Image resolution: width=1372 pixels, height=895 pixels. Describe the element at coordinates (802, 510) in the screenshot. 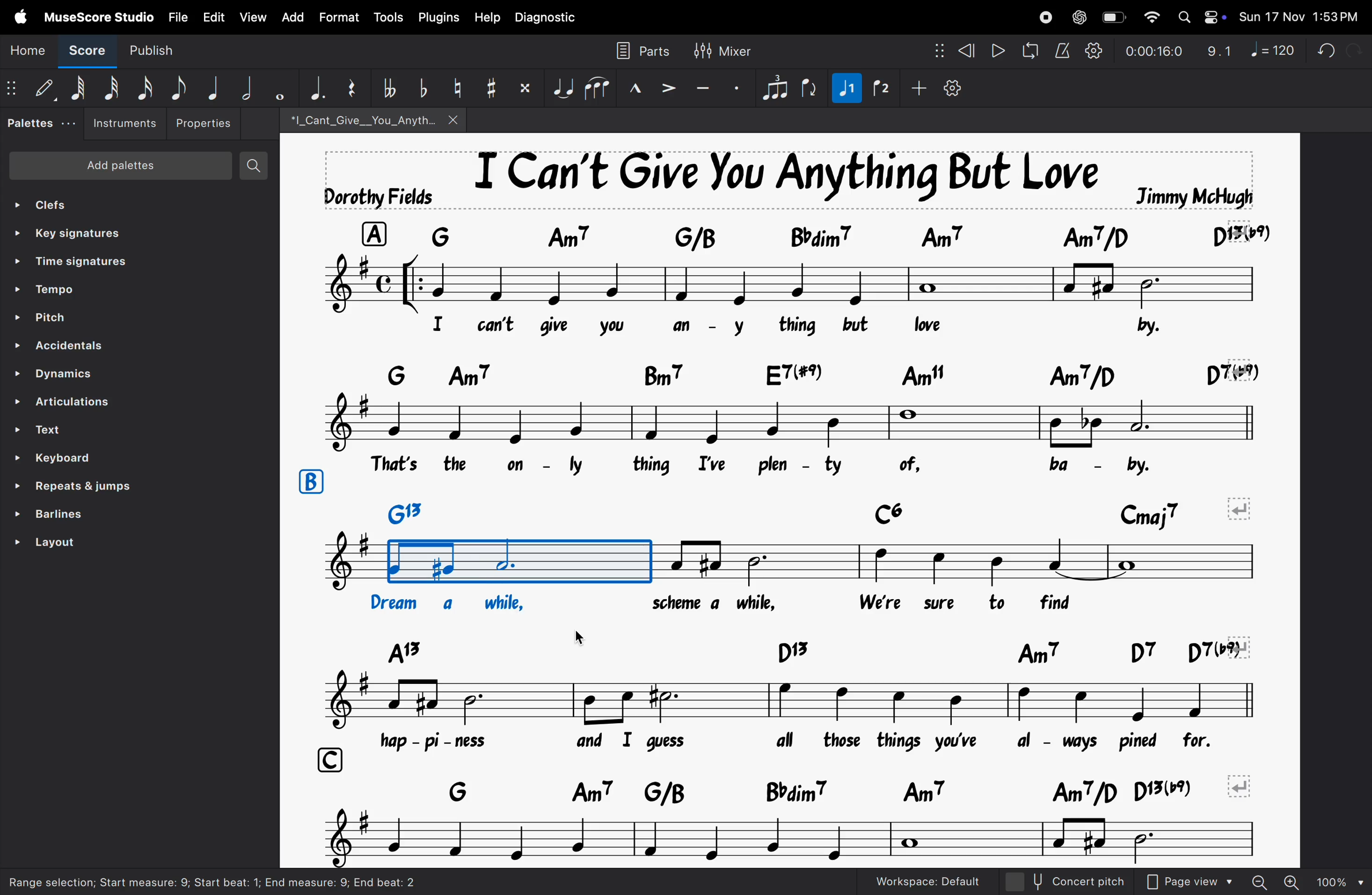

I see `keys` at that location.